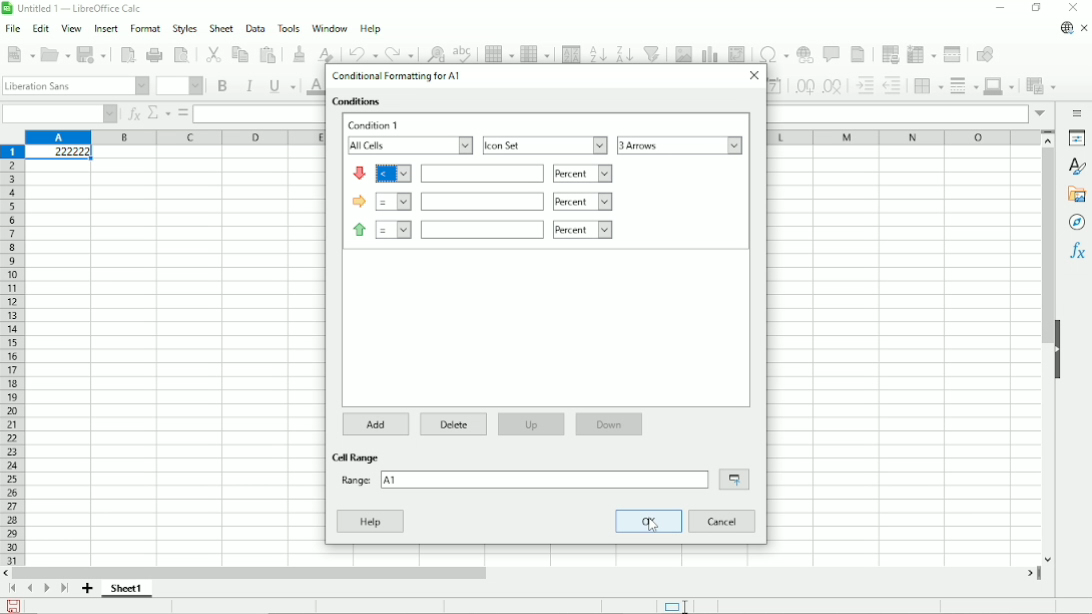 This screenshot has height=614, width=1092. Describe the element at coordinates (13, 589) in the screenshot. I see `Scroll to first page` at that location.